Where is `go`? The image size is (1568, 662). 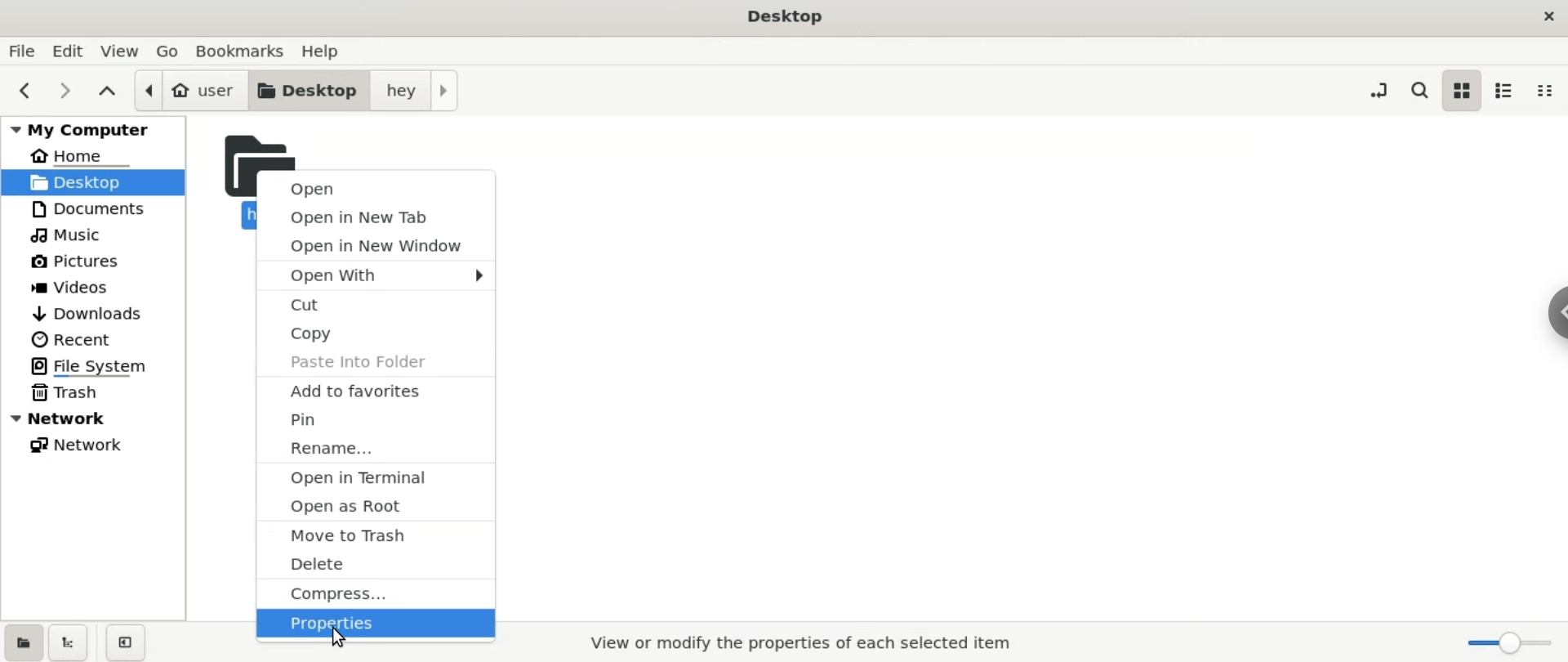 go is located at coordinates (172, 52).